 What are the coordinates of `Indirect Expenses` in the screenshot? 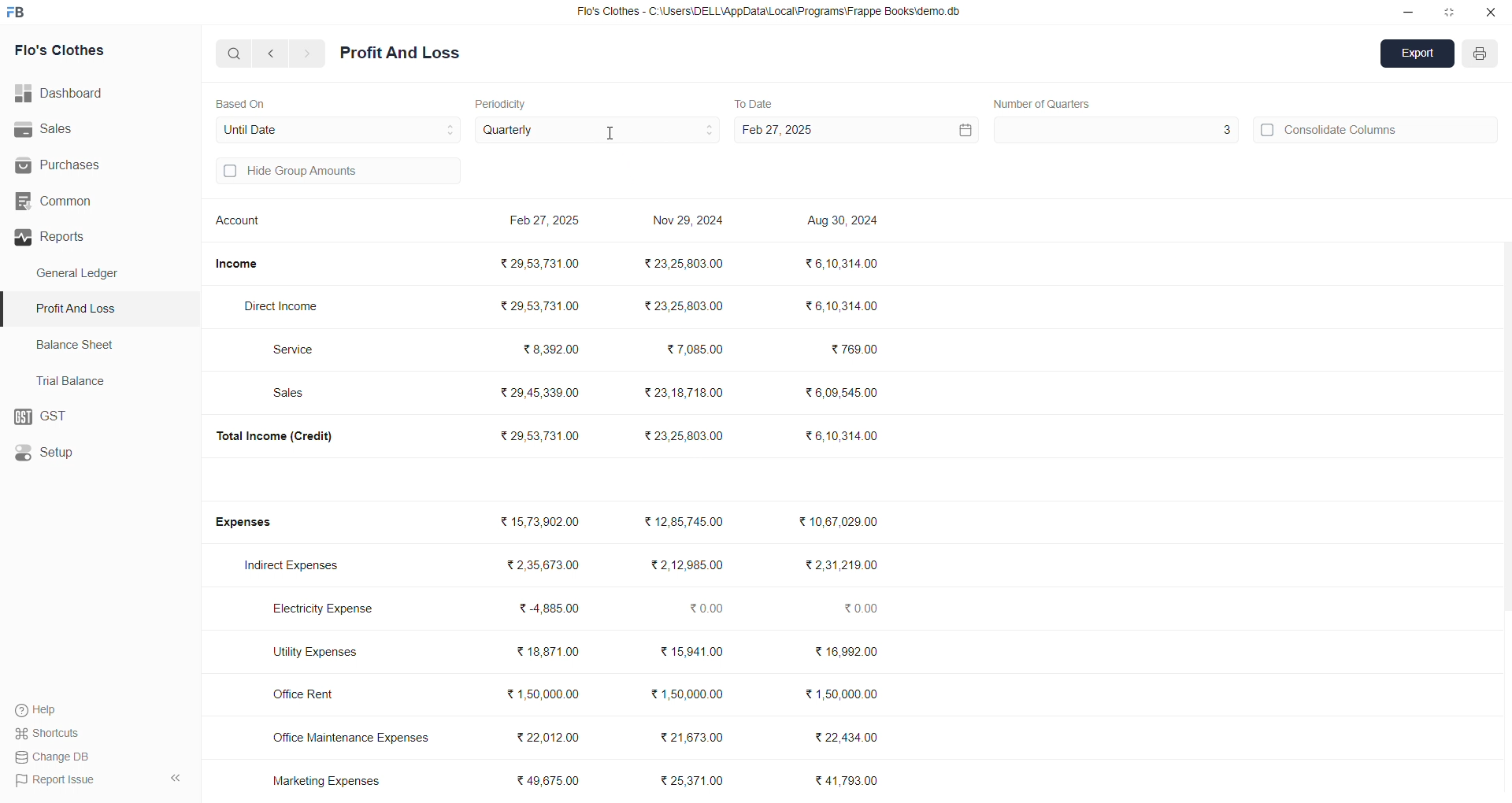 It's located at (297, 567).